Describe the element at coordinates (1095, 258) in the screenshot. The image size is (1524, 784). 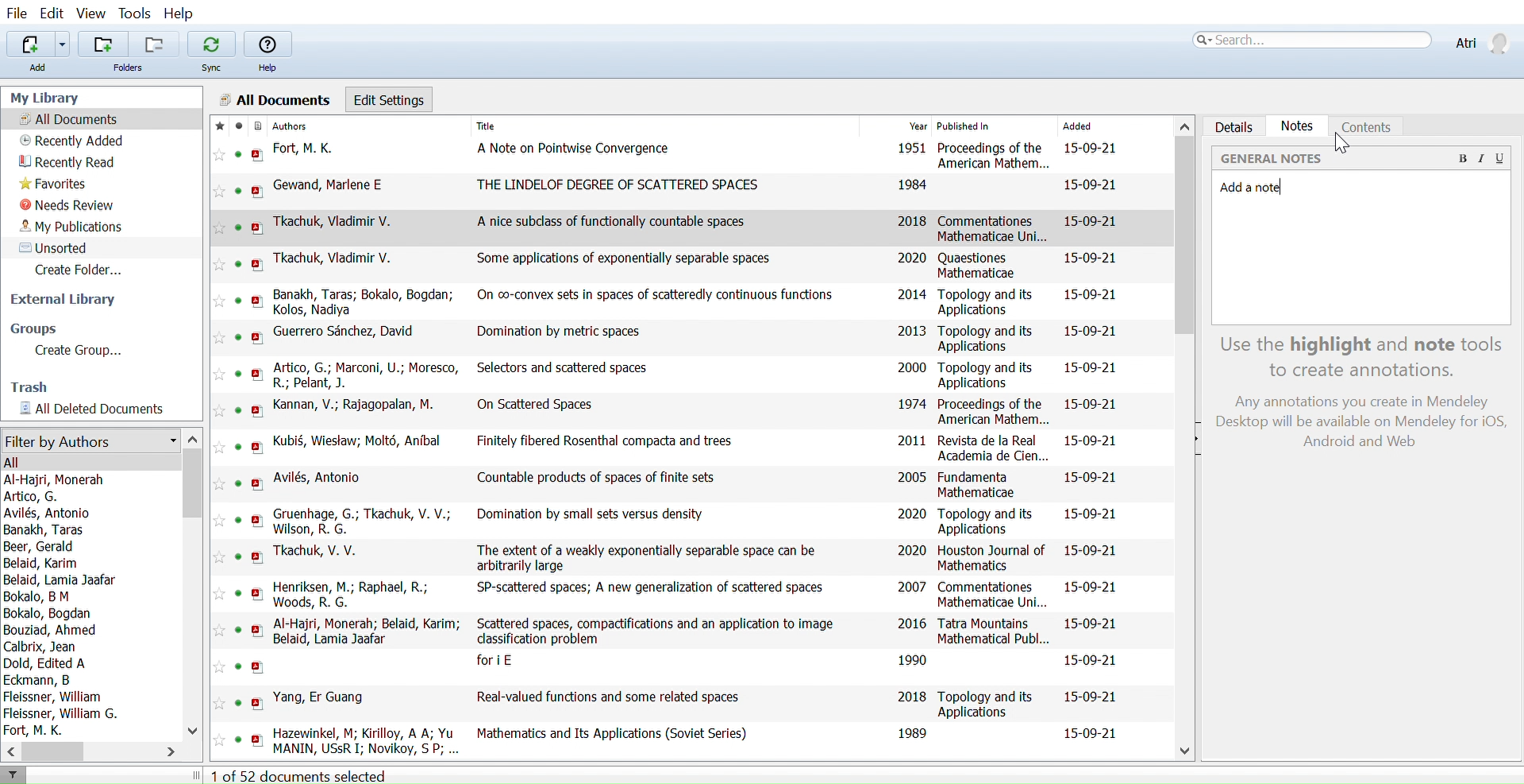
I see `15-09-21` at that location.